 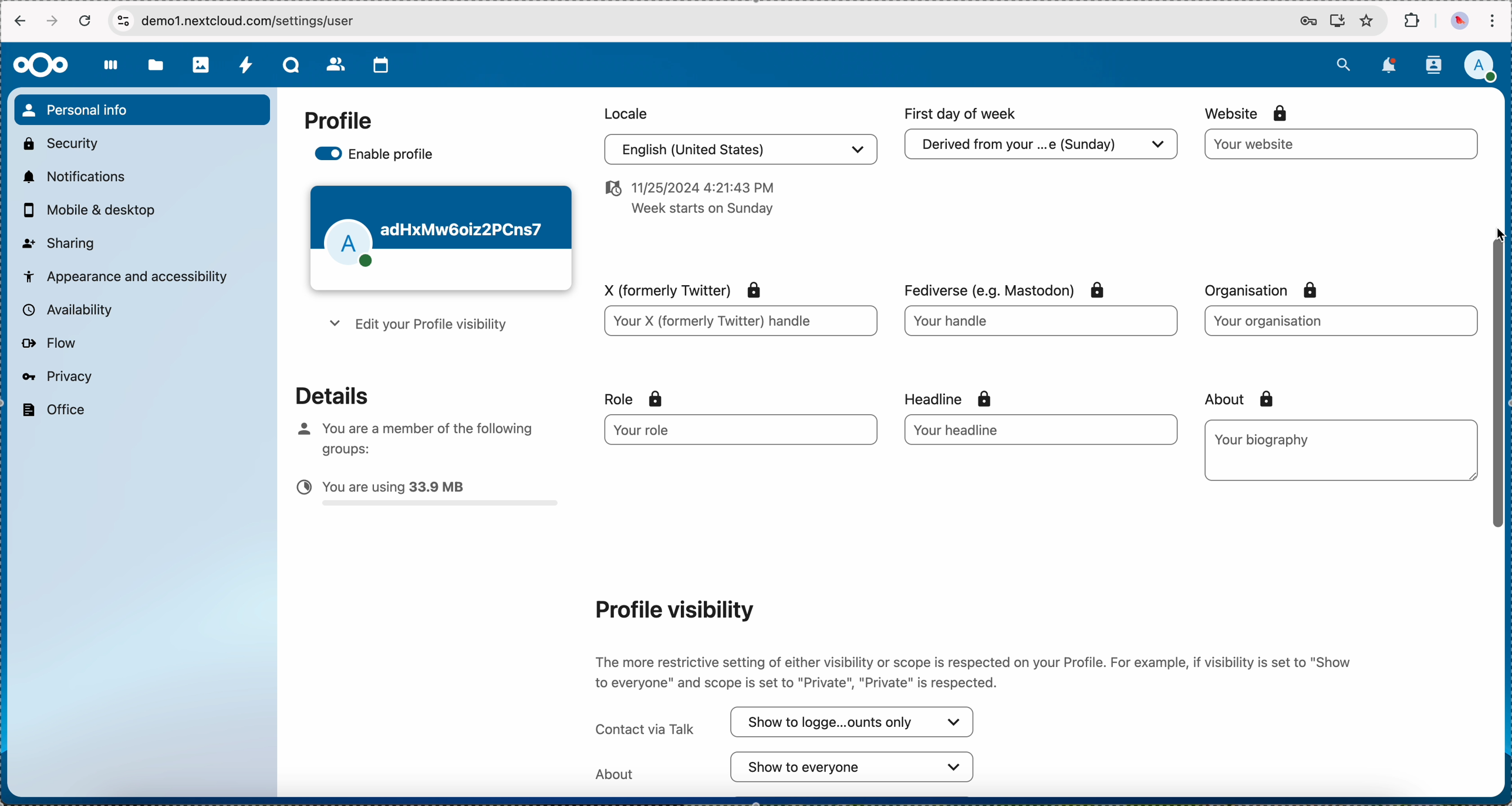 I want to click on about, so click(x=1235, y=399).